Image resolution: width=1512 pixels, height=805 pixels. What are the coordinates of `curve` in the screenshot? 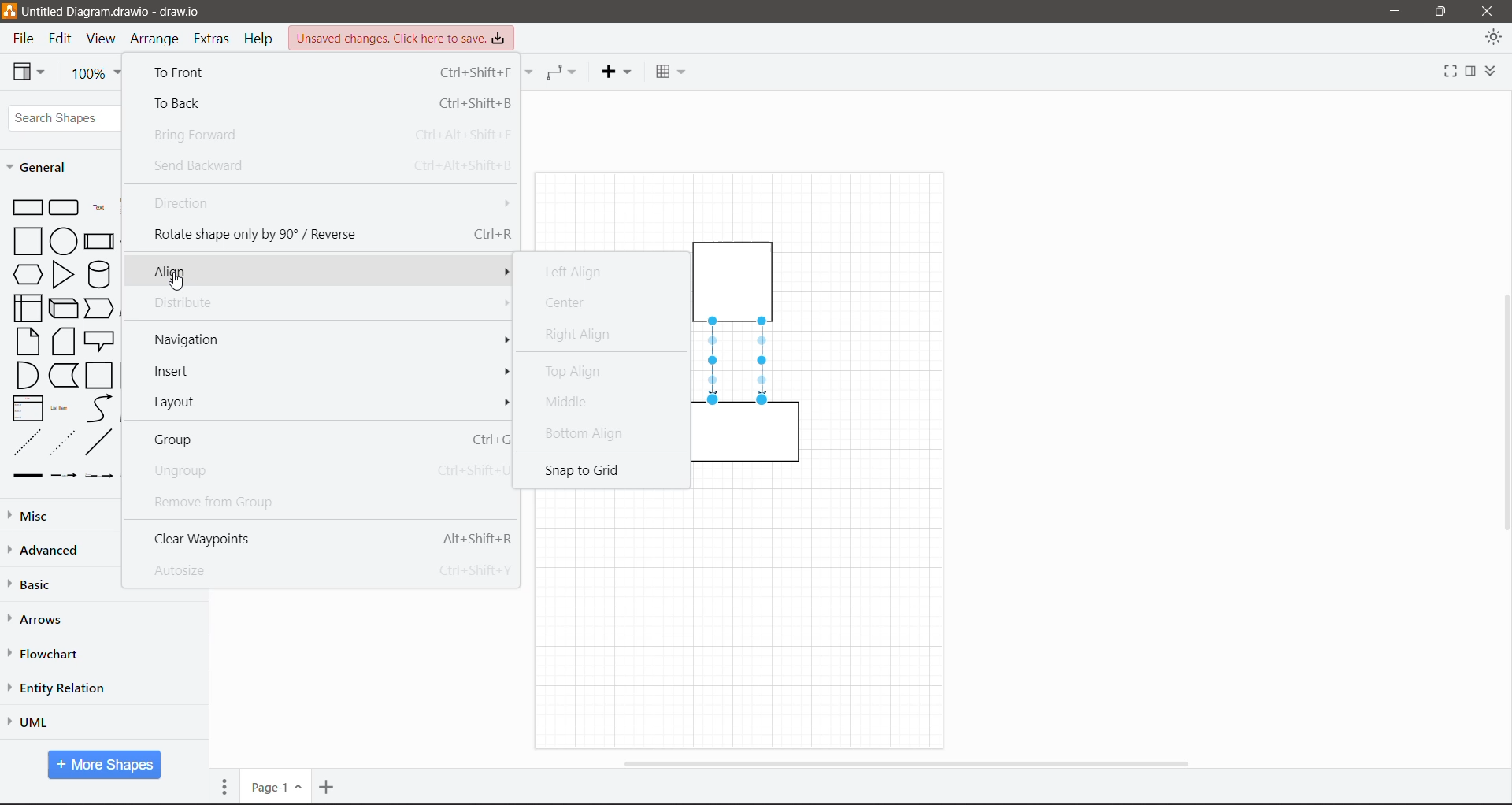 It's located at (99, 409).